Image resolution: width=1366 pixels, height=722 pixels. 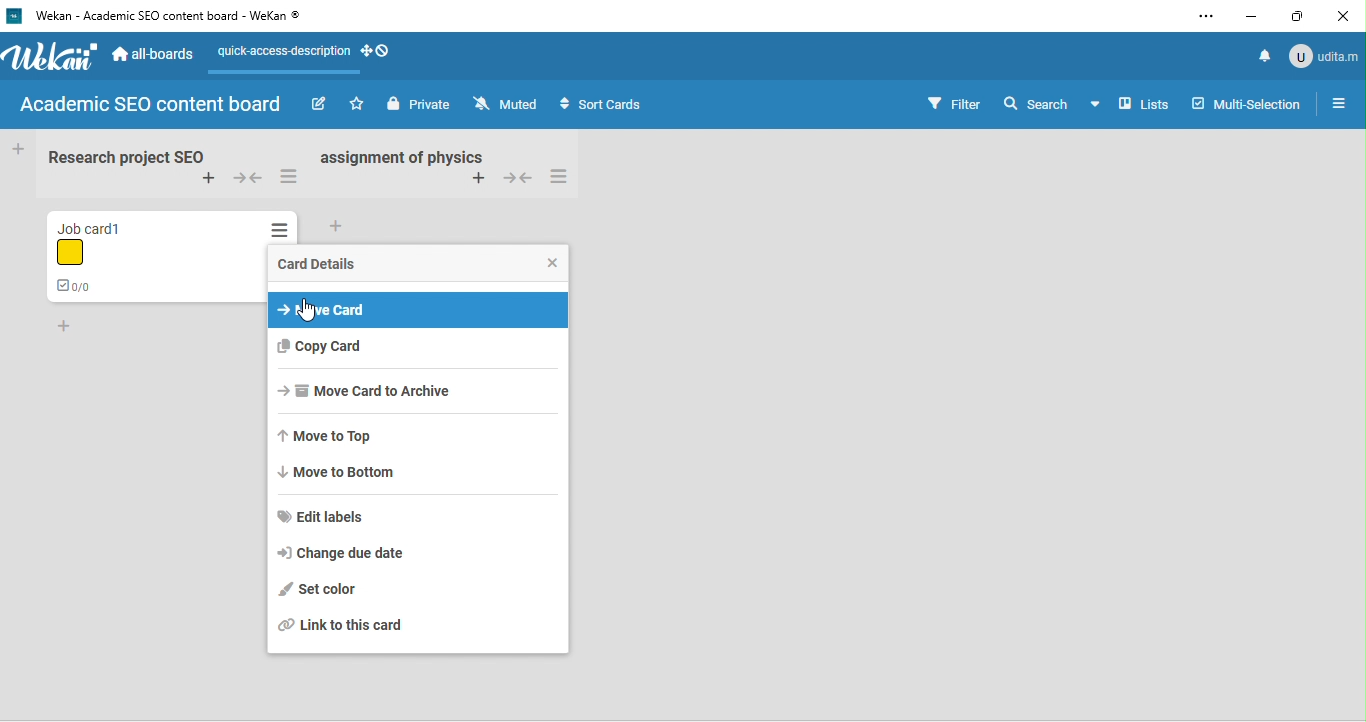 I want to click on private, so click(x=421, y=105).